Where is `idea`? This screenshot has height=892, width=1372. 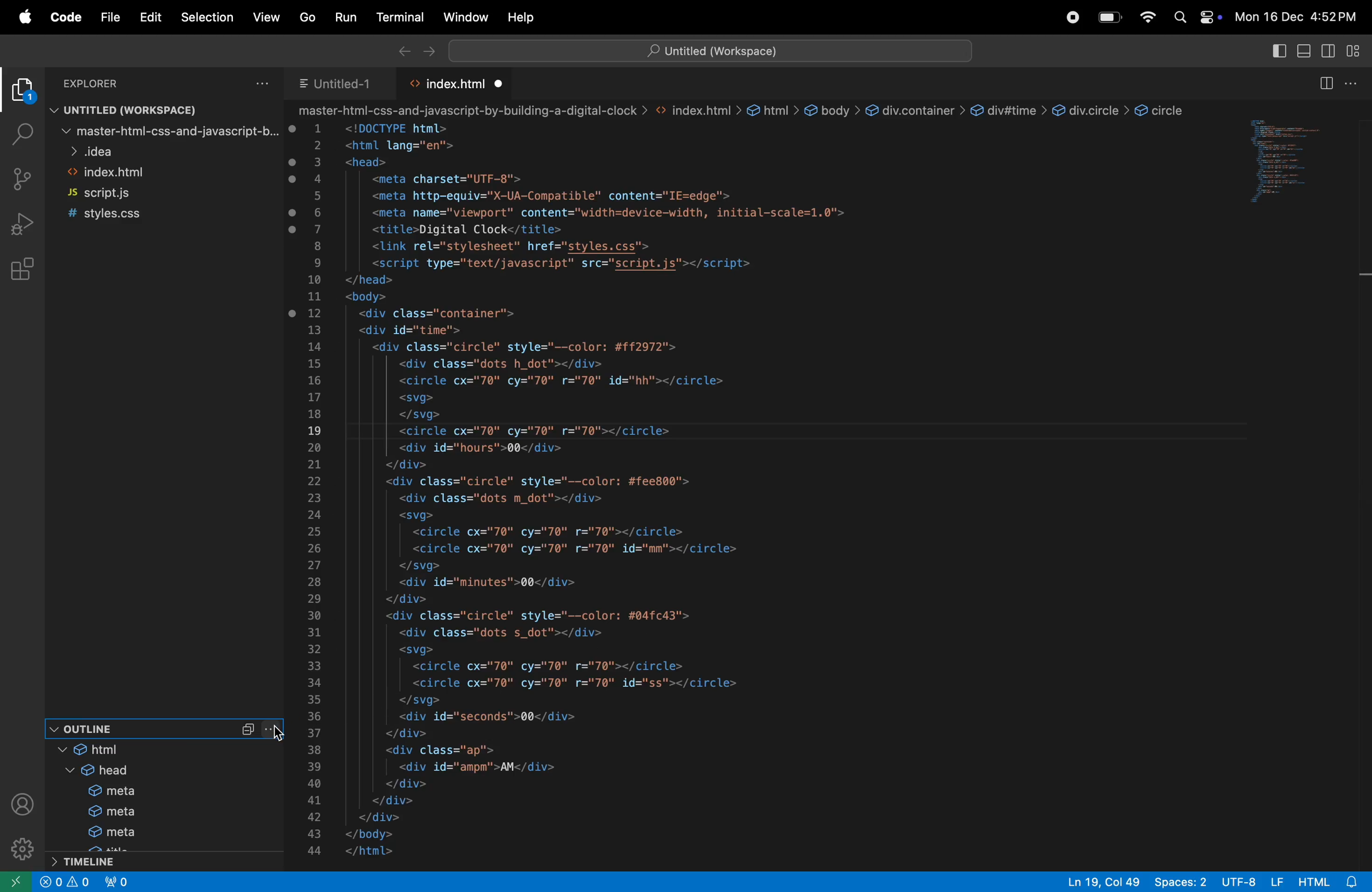
idea is located at coordinates (166, 151).